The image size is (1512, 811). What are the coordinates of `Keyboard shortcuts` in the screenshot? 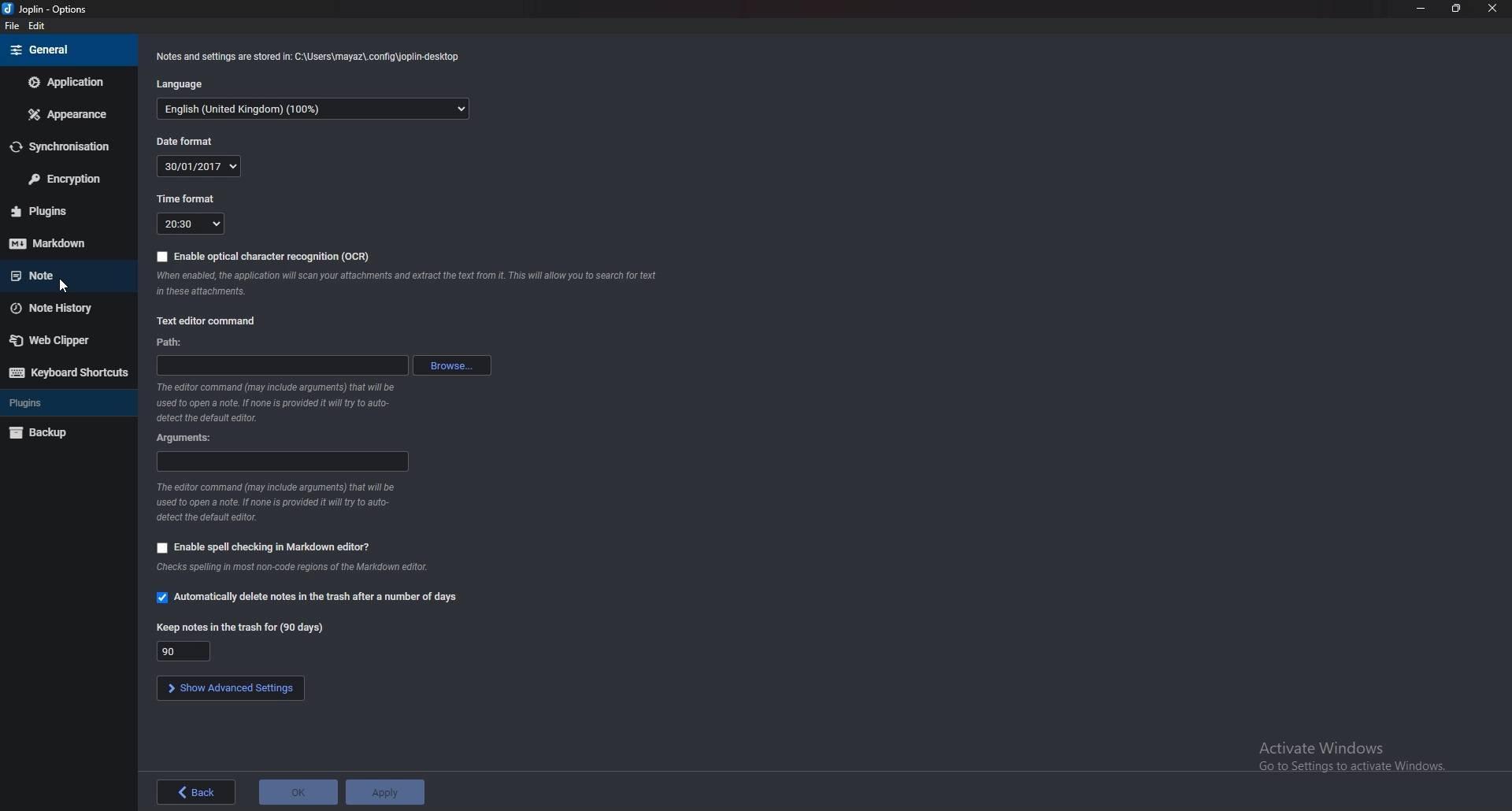 It's located at (66, 374).